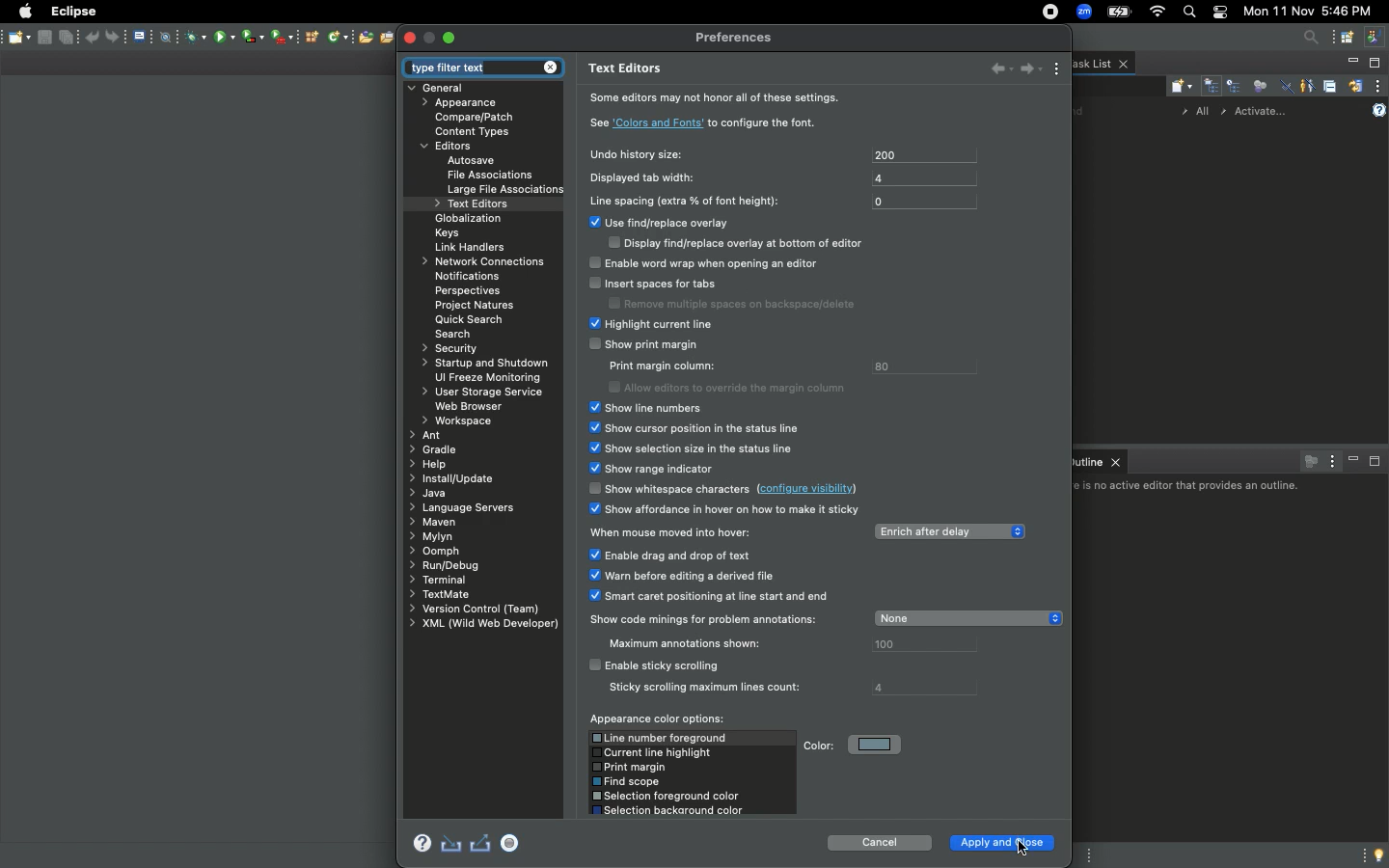 Image resolution: width=1389 pixels, height=868 pixels. Describe the element at coordinates (451, 36) in the screenshot. I see `Maximize` at that location.